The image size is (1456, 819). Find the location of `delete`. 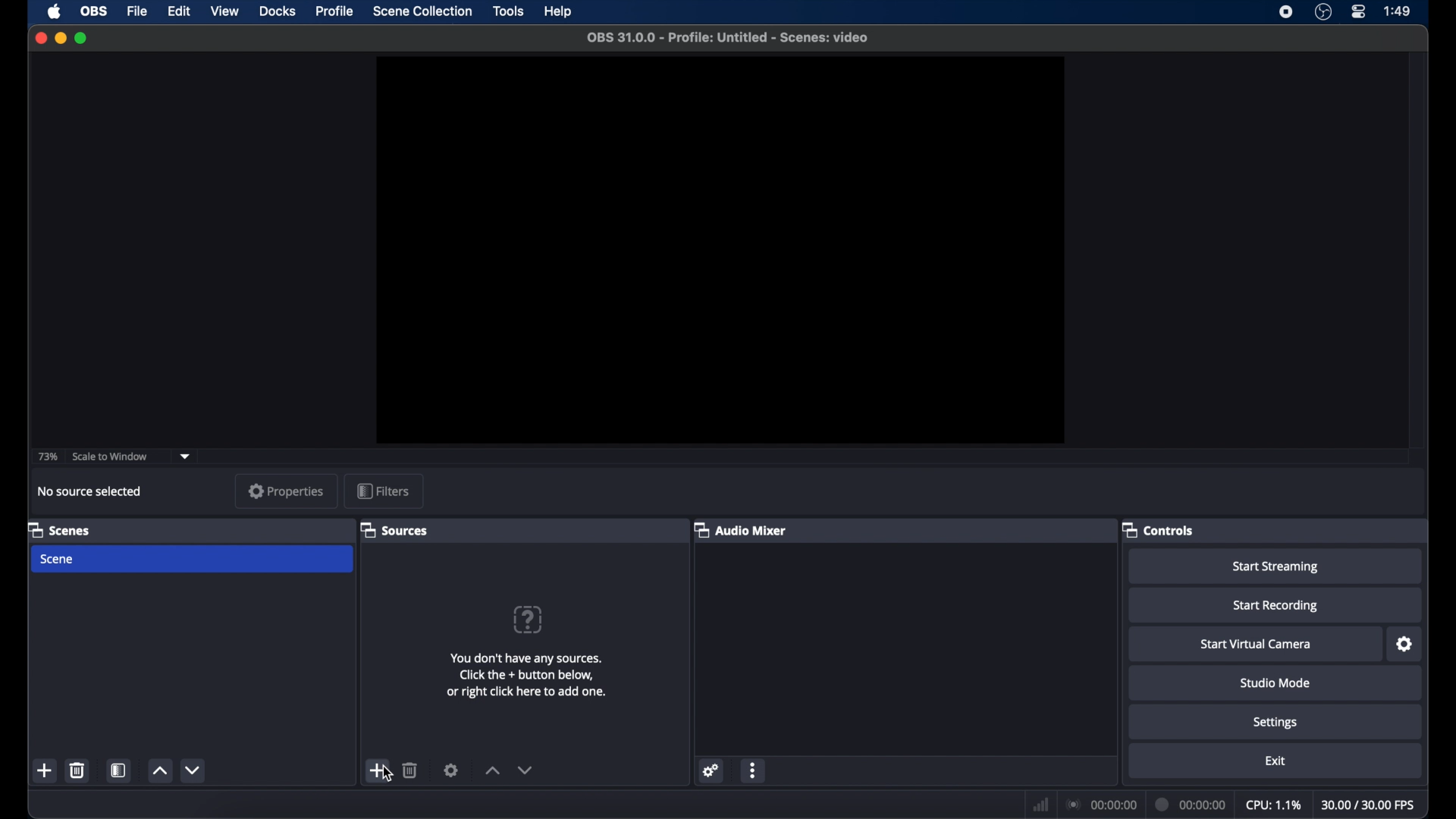

delete is located at coordinates (410, 771).